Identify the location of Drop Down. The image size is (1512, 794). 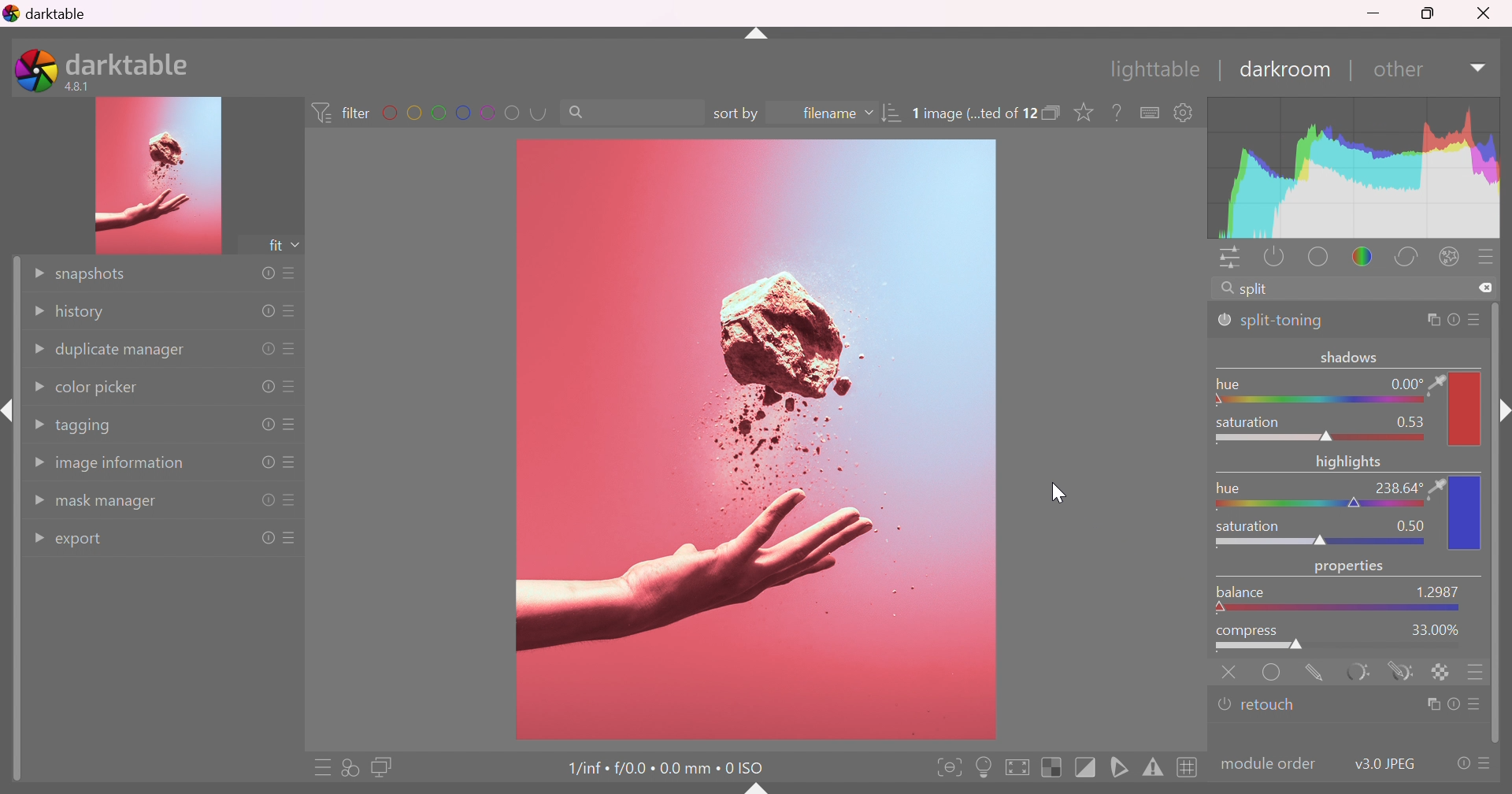
(35, 388).